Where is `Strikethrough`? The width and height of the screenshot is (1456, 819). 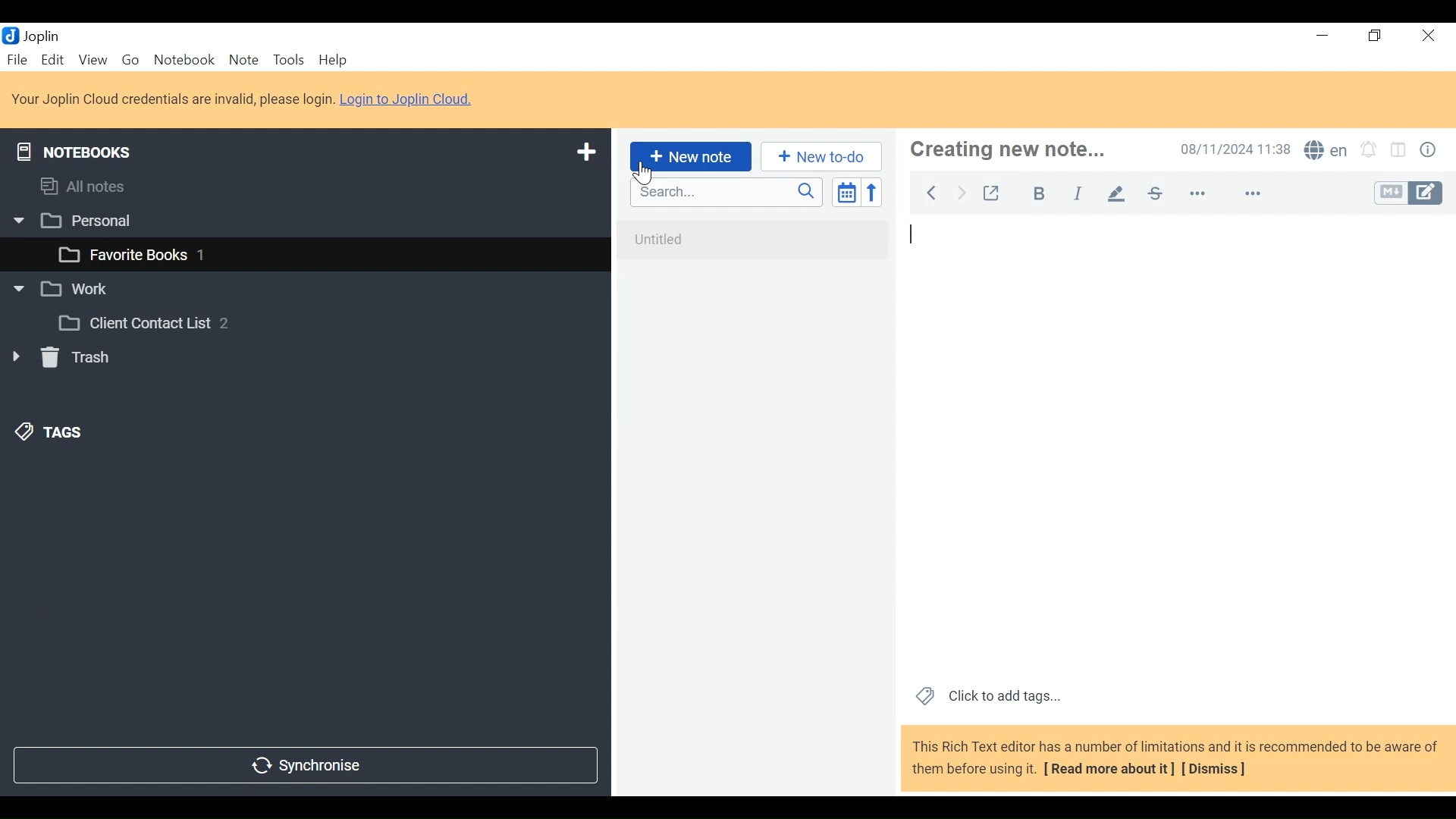
Strikethrough is located at coordinates (1156, 195).